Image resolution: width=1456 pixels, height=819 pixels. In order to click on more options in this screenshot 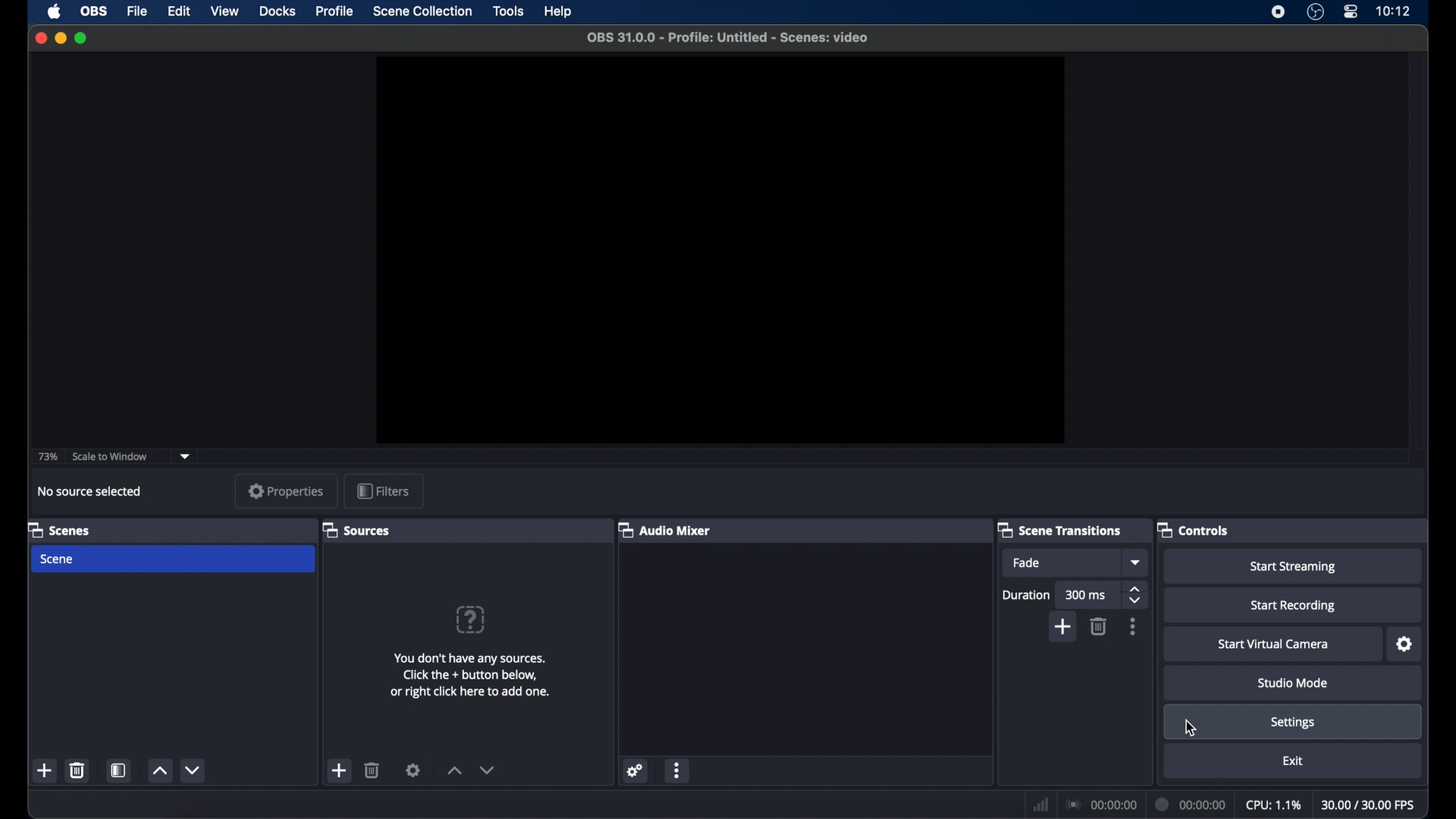, I will do `click(678, 772)`.